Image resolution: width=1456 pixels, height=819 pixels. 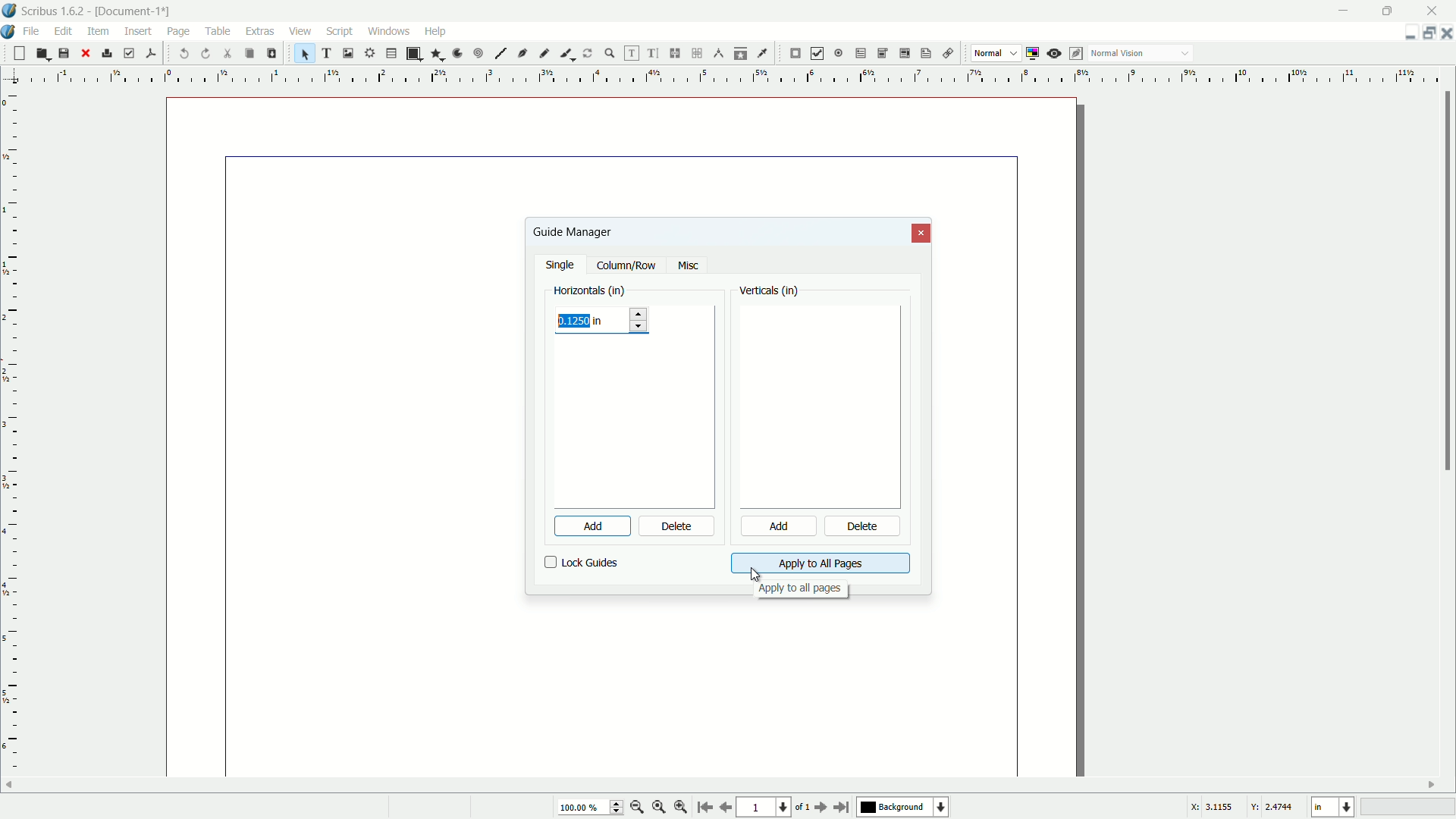 What do you see at coordinates (479, 54) in the screenshot?
I see `spiral` at bounding box center [479, 54].